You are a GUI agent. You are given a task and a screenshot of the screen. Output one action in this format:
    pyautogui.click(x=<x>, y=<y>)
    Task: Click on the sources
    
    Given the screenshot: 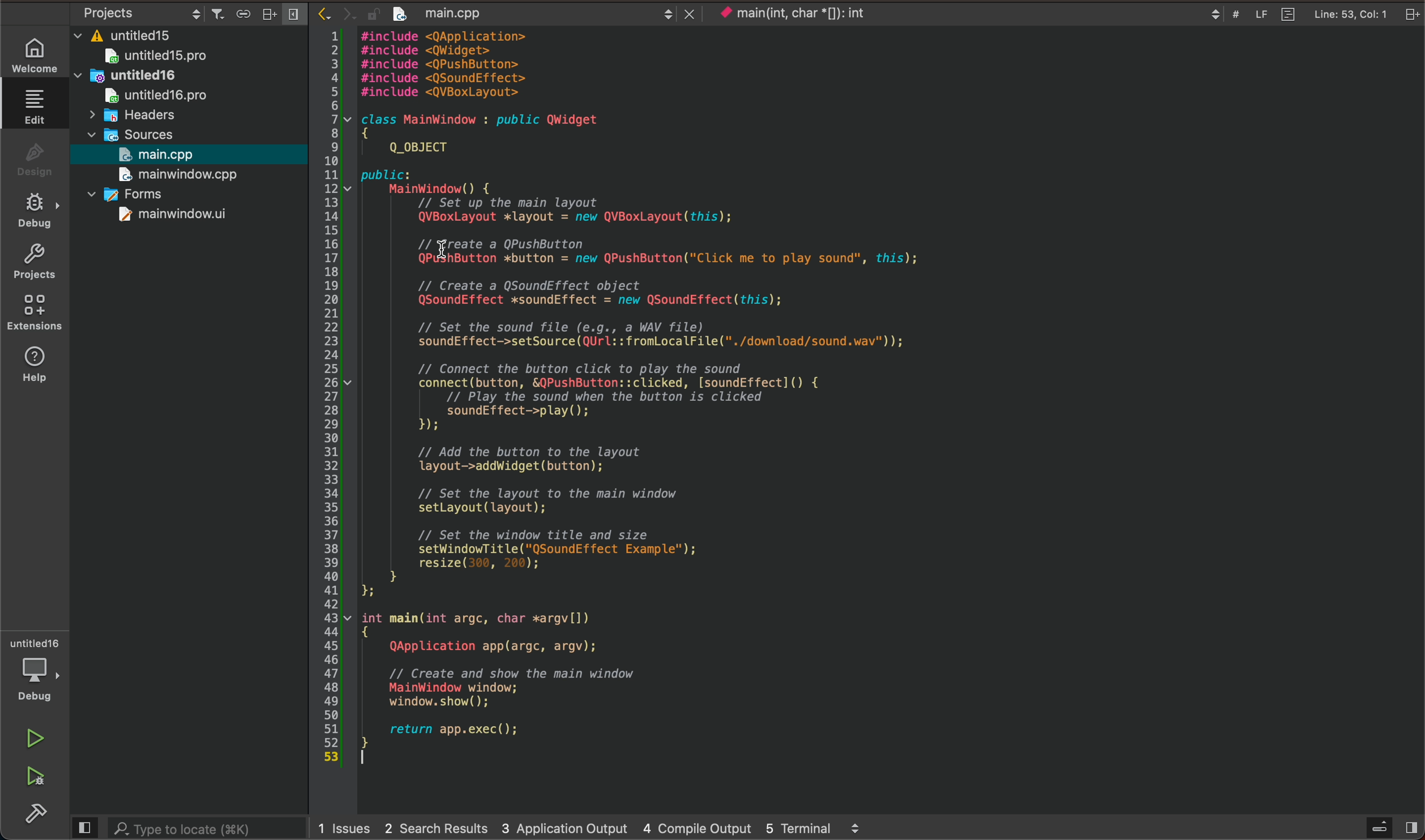 What is the action you would take?
    pyautogui.click(x=134, y=134)
    